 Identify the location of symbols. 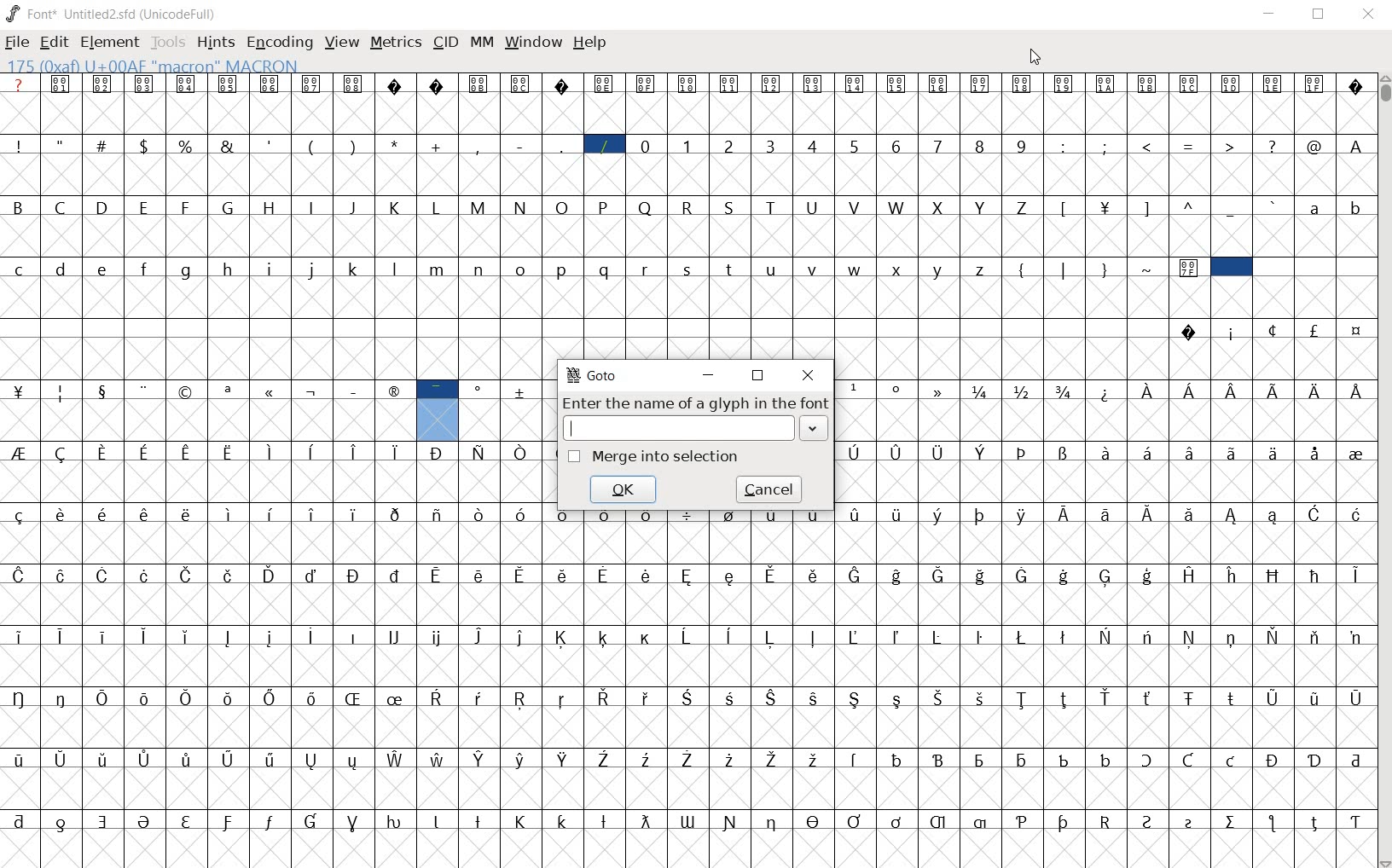
(684, 105).